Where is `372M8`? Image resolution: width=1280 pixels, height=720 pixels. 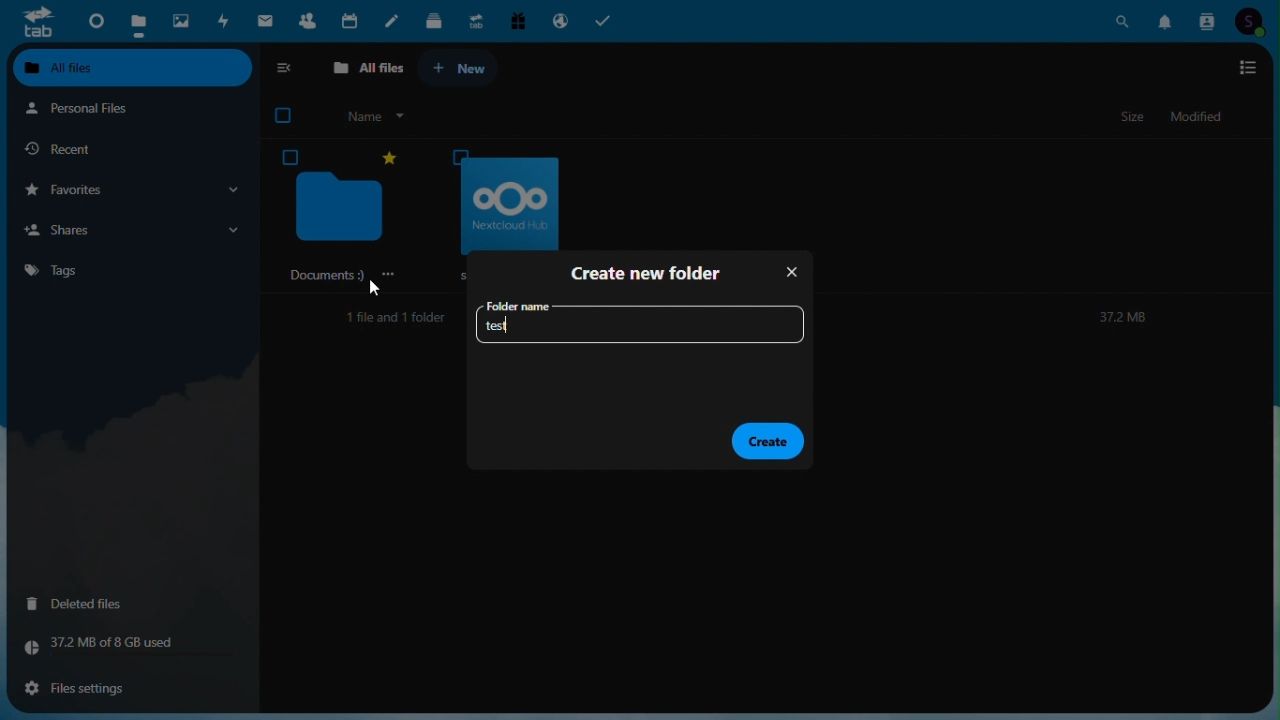 372M8 is located at coordinates (1126, 317).